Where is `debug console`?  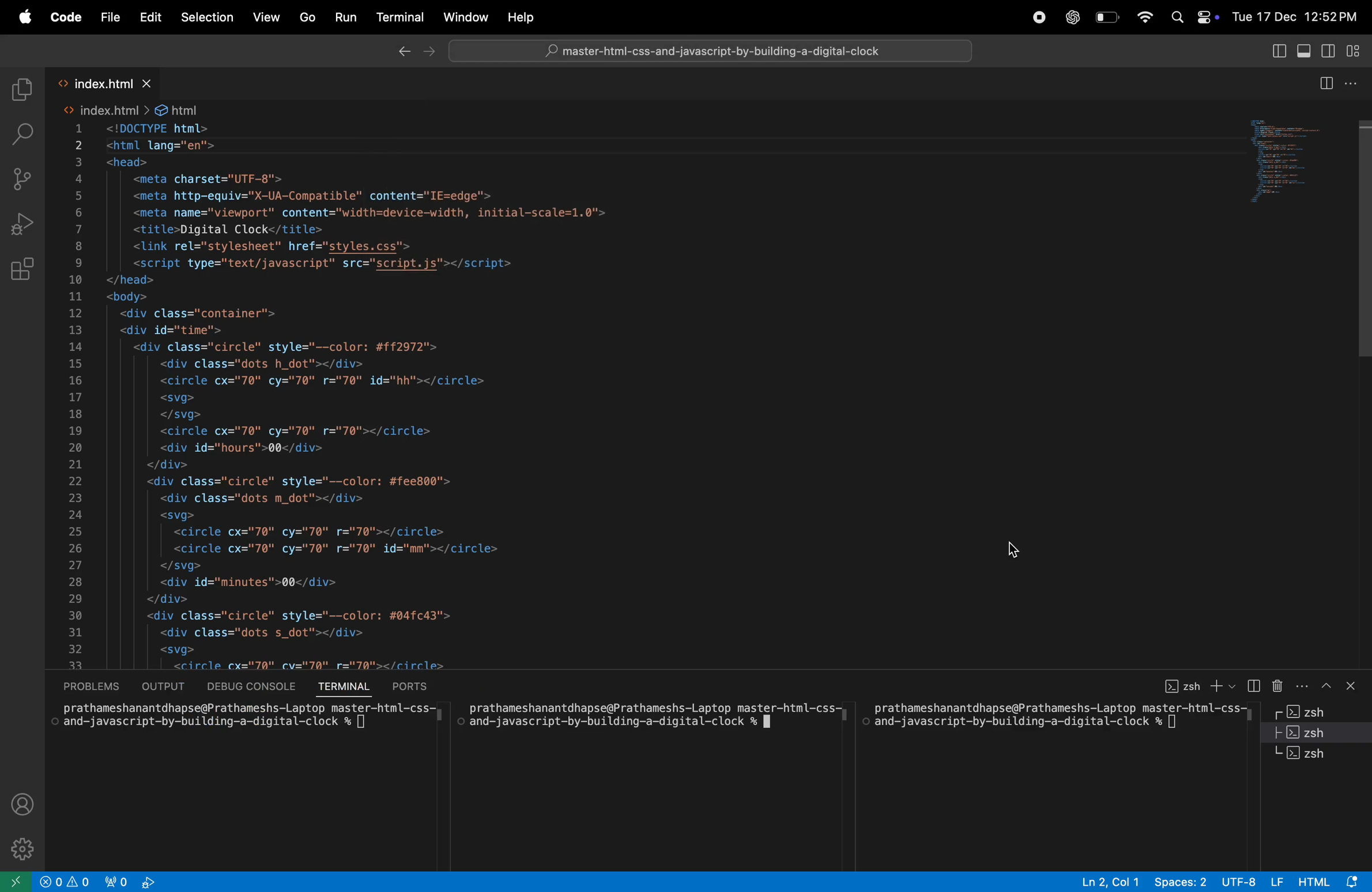 debug console is located at coordinates (251, 685).